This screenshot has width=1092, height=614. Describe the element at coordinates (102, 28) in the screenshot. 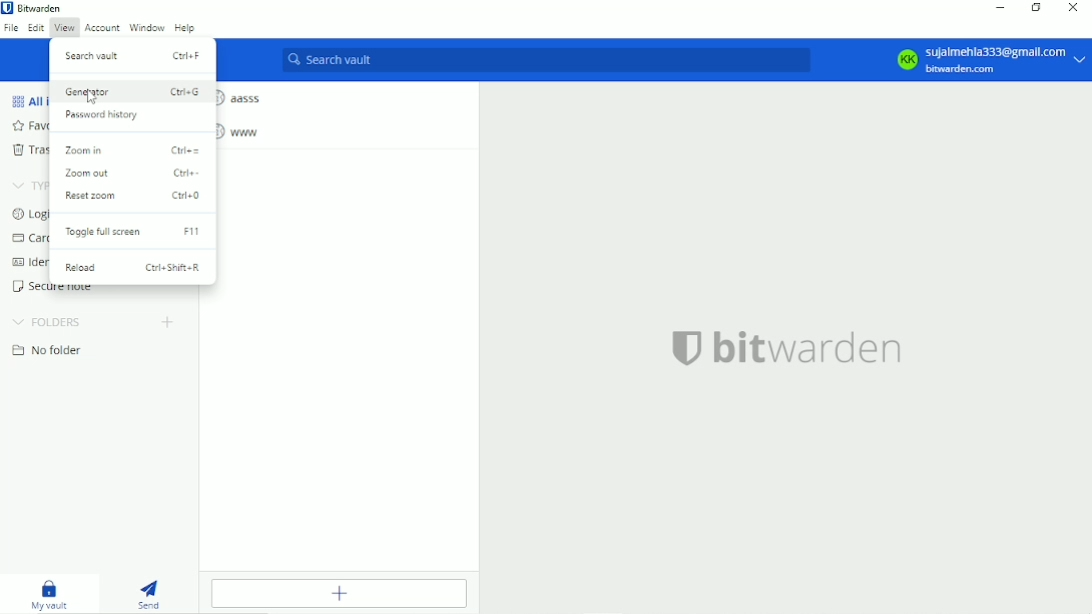

I see `Account` at that location.